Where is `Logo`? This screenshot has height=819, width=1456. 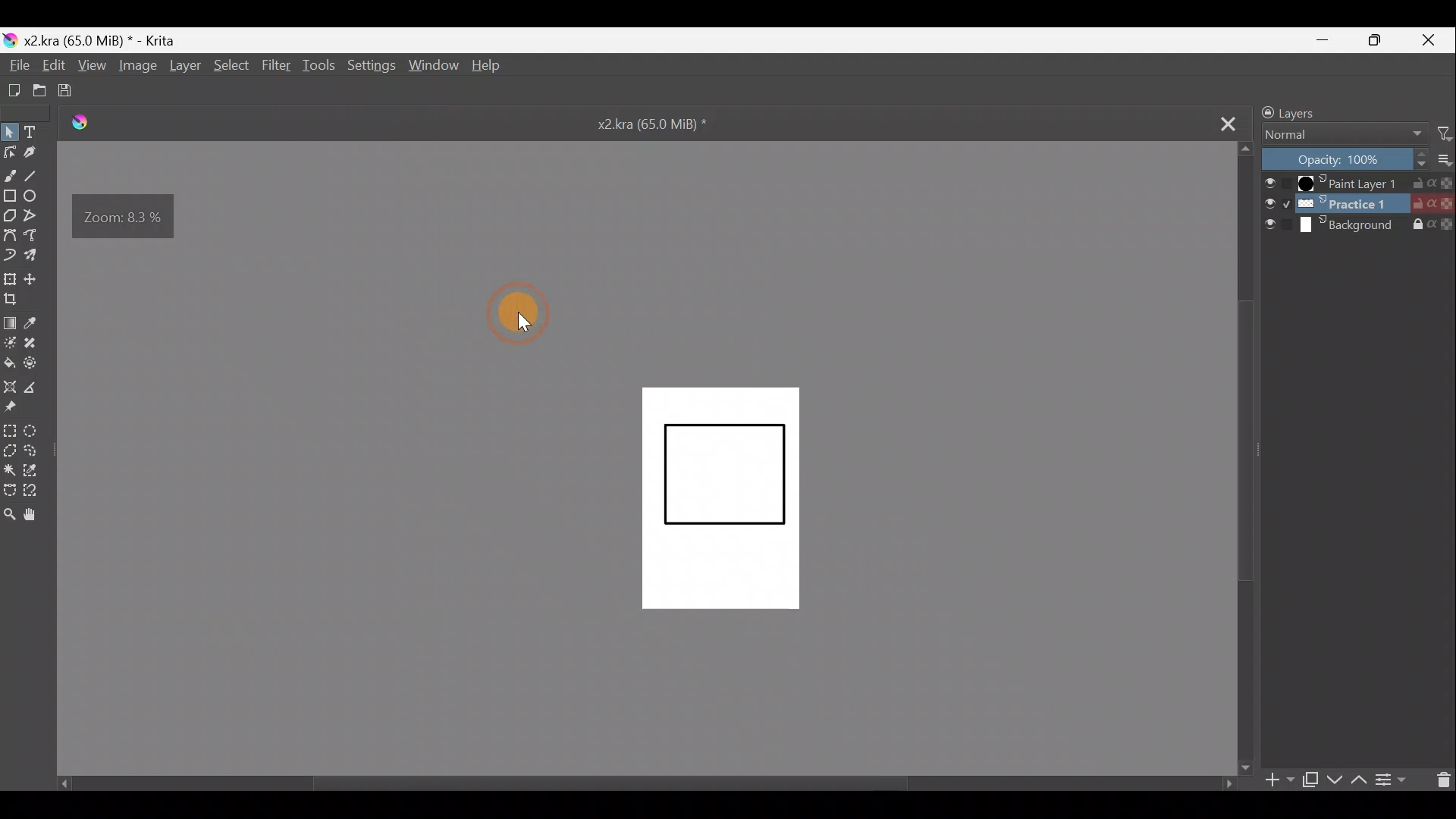 Logo is located at coordinates (88, 124).